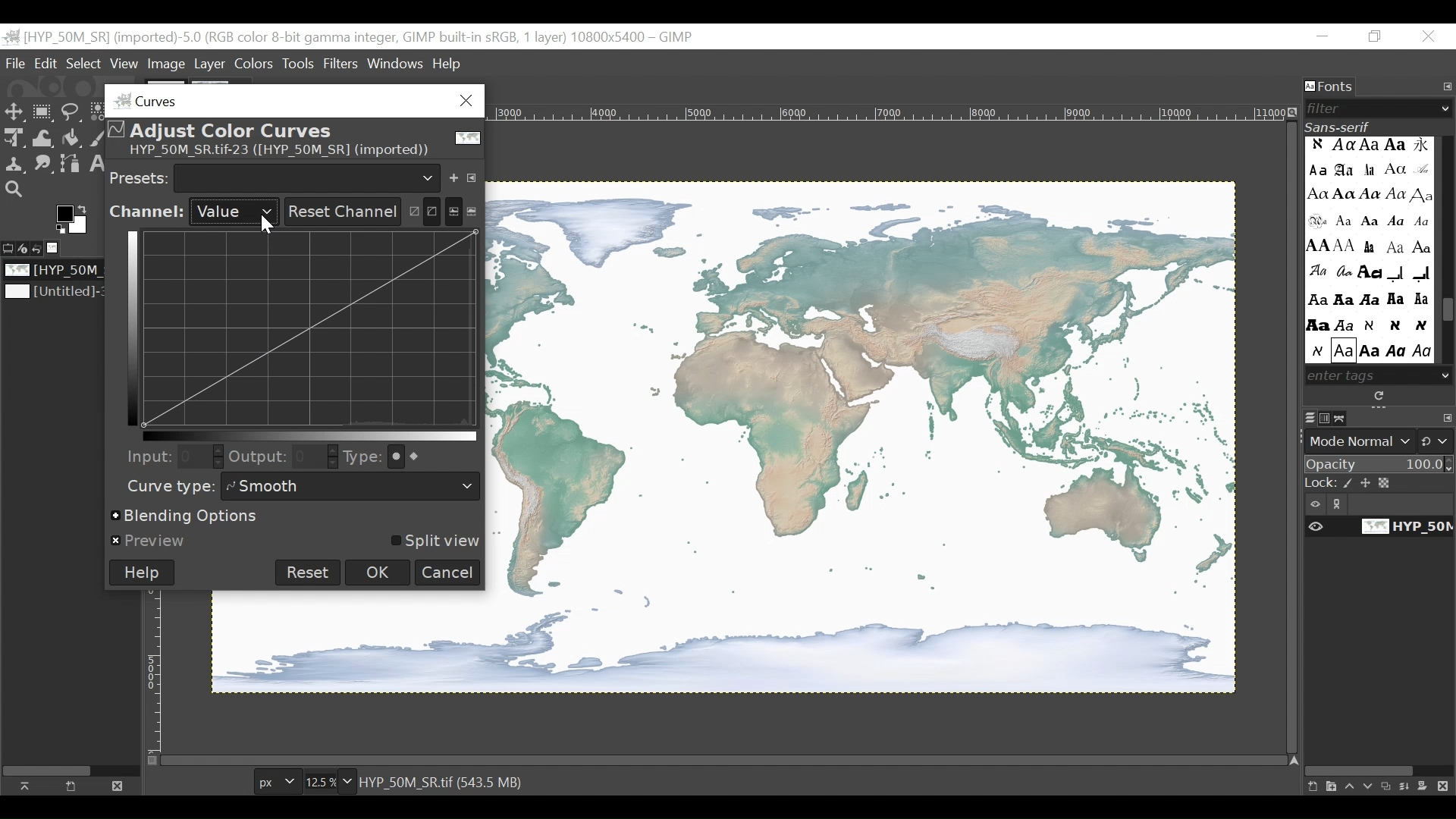 The height and width of the screenshot is (819, 1456). Describe the element at coordinates (1331, 87) in the screenshot. I see `Fonts` at that location.